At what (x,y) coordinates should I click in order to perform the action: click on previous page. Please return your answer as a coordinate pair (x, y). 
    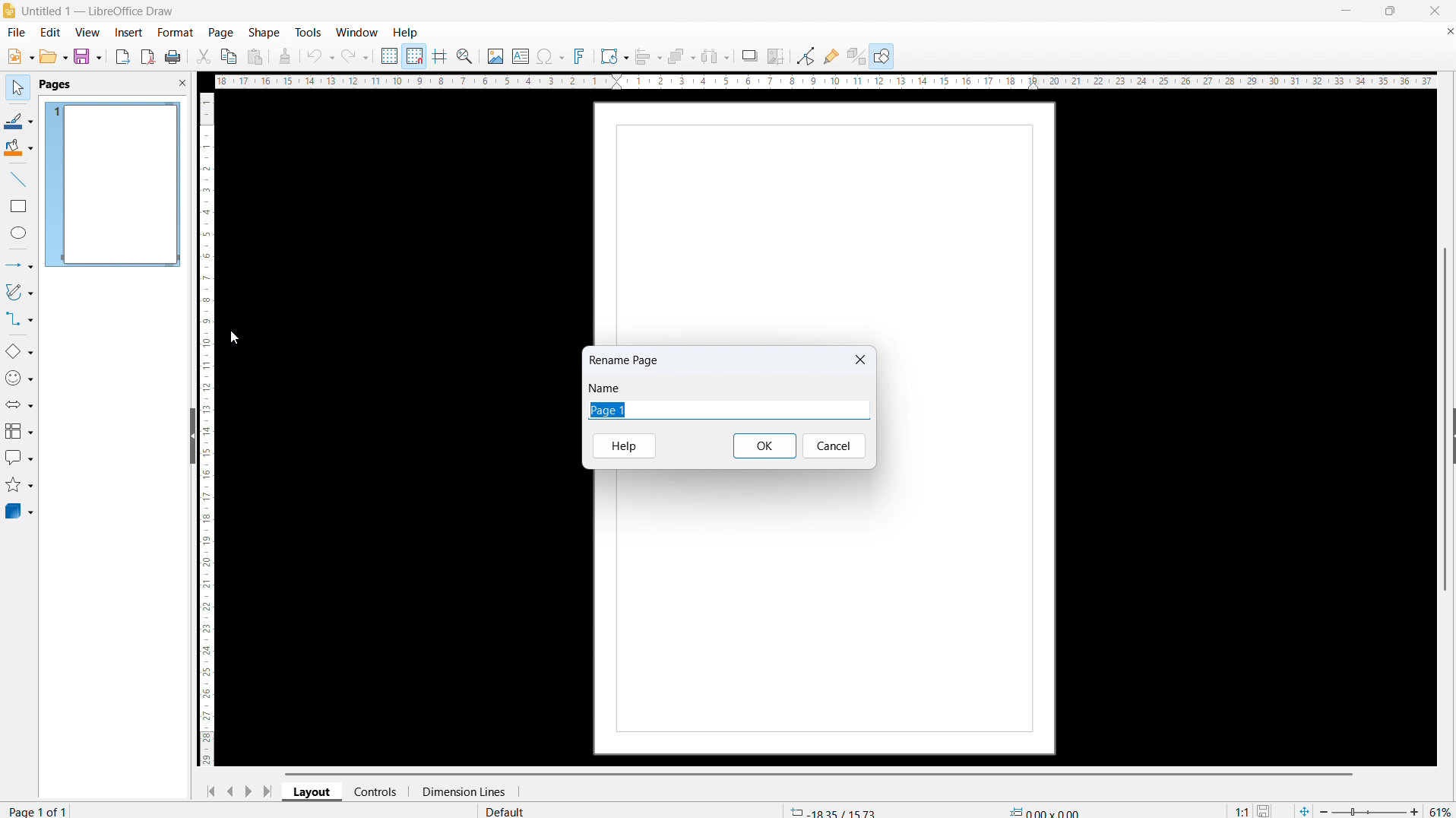
    Looking at the image, I should click on (229, 791).